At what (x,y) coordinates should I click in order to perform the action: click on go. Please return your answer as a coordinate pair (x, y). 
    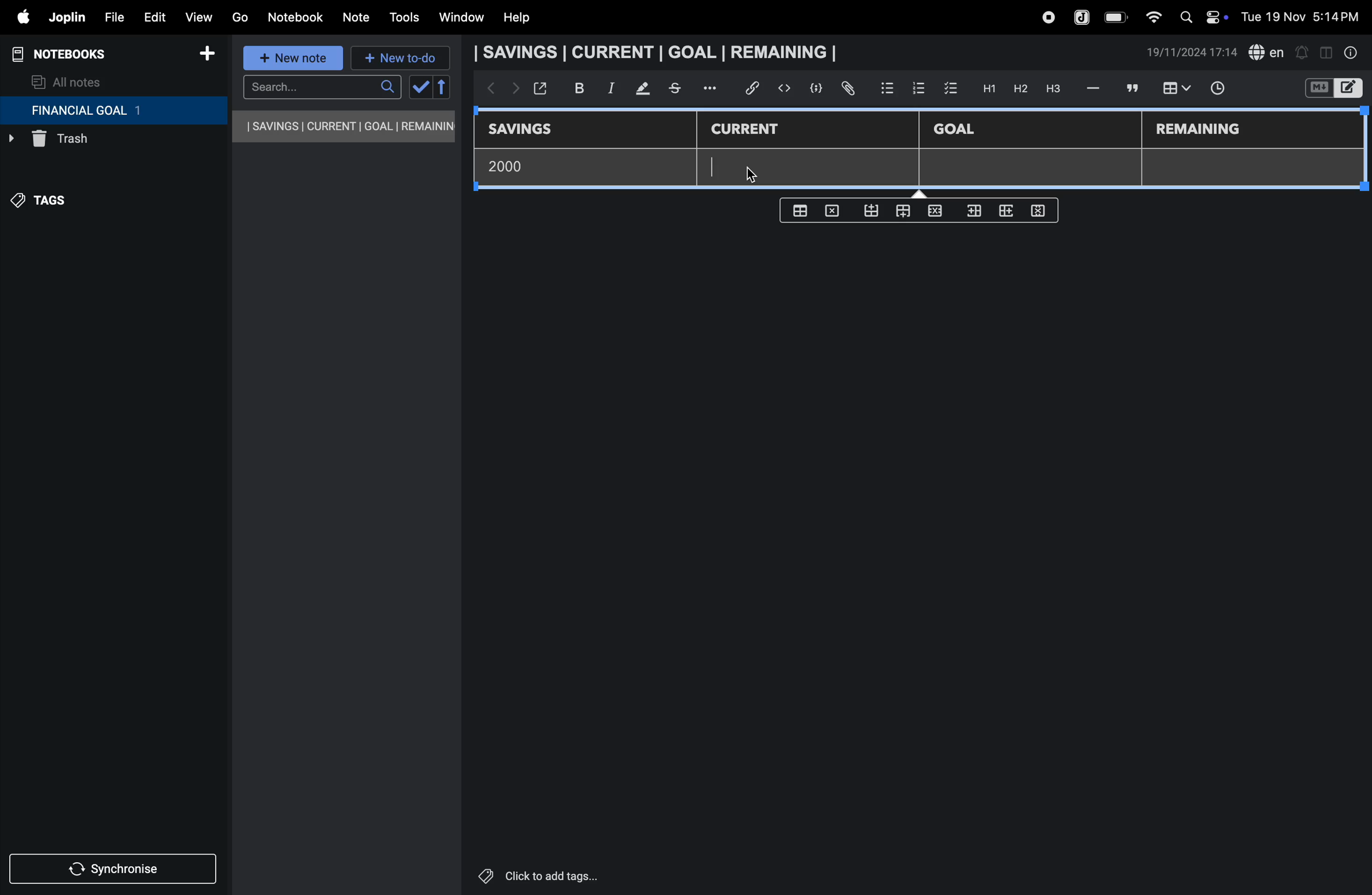
    Looking at the image, I should click on (240, 16).